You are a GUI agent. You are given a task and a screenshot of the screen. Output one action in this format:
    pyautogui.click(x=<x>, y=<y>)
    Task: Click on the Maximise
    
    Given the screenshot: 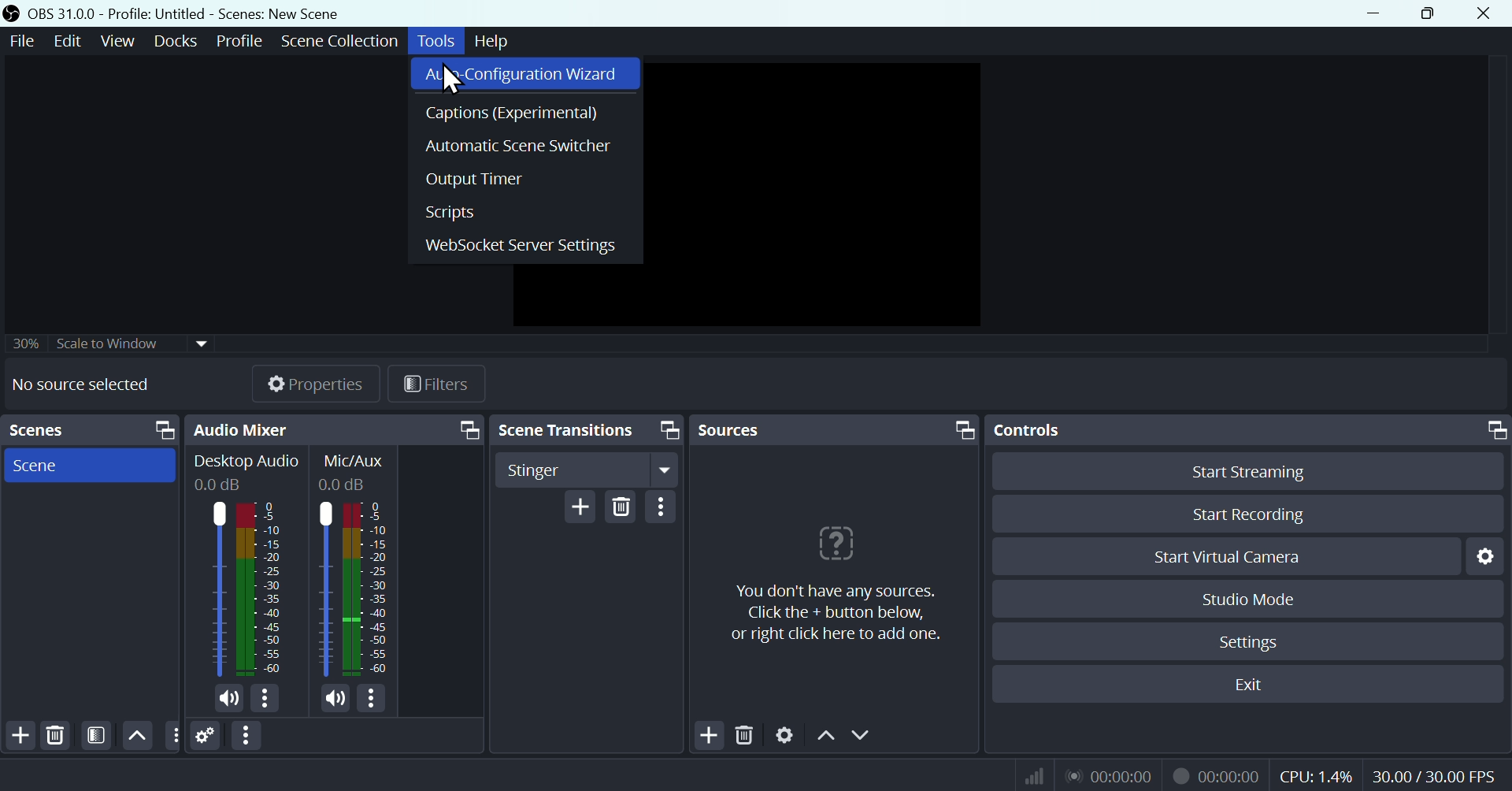 What is the action you would take?
    pyautogui.click(x=1432, y=13)
    